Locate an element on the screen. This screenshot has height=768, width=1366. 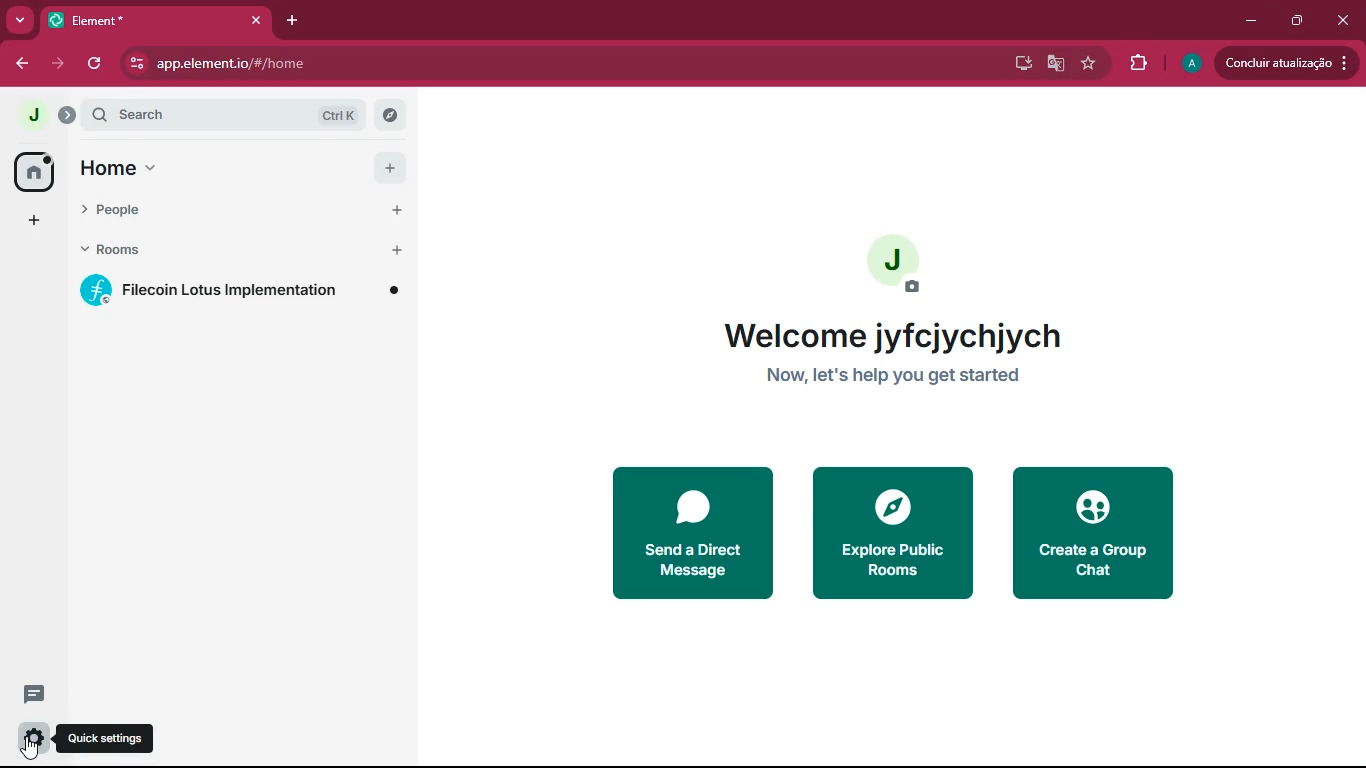
forward is located at coordinates (58, 62).